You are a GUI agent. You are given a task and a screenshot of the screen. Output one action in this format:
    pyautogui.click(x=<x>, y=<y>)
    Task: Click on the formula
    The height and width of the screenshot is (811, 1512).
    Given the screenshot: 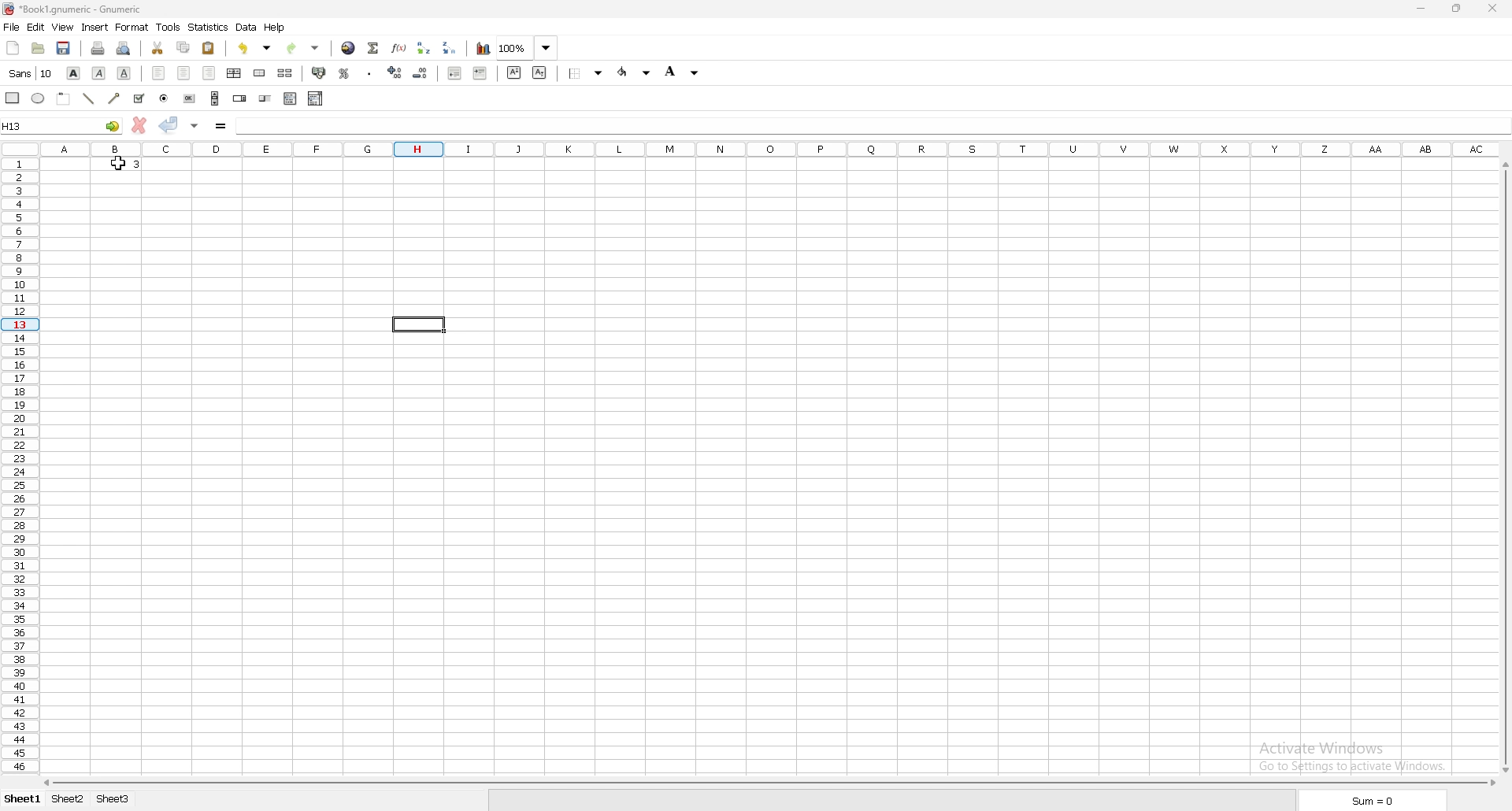 What is the action you would take?
    pyautogui.click(x=221, y=125)
    